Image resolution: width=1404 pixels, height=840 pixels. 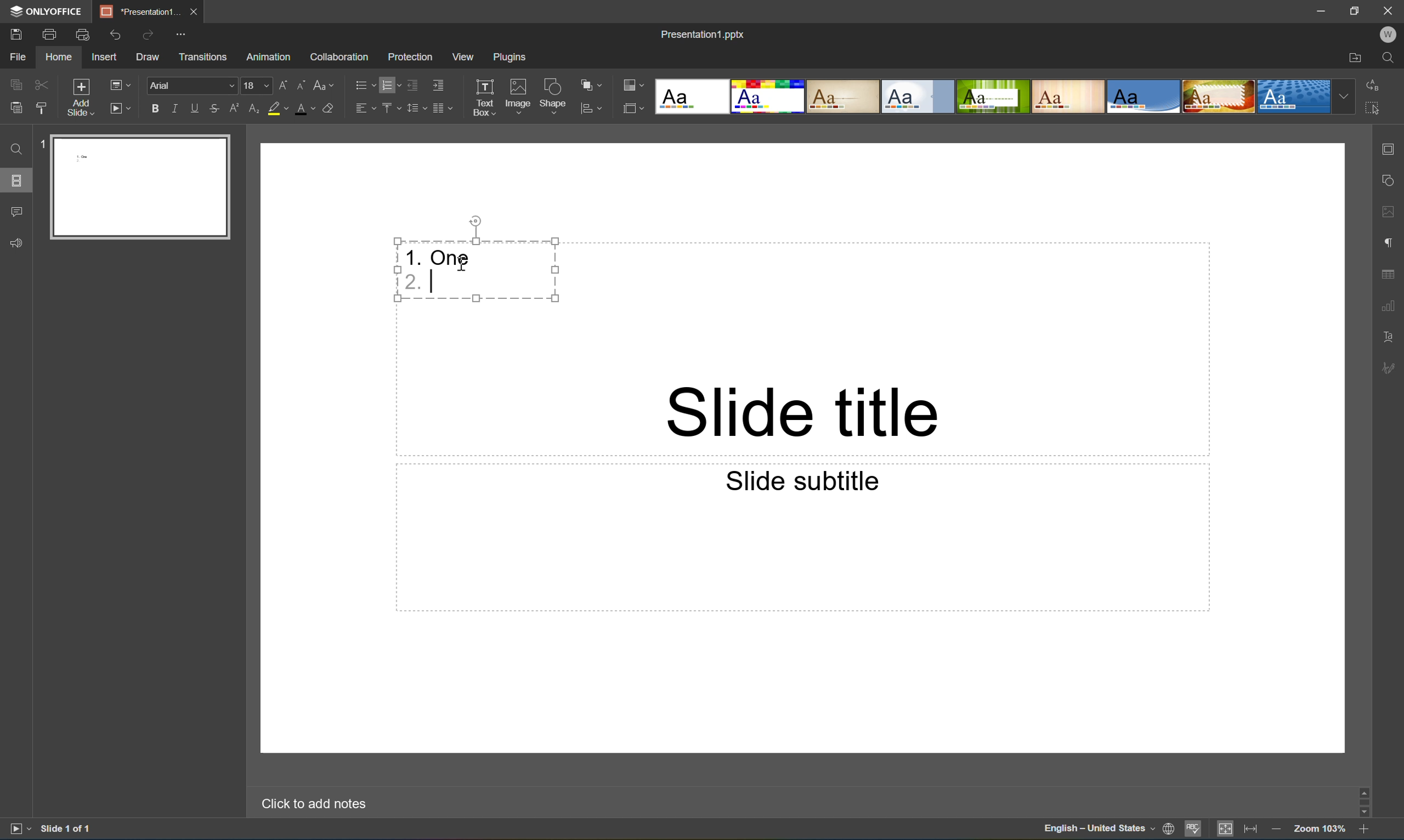 What do you see at coordinates (312, 804) in the screenshot?
I see `Click to add notes` at bounding box center [312, 804].